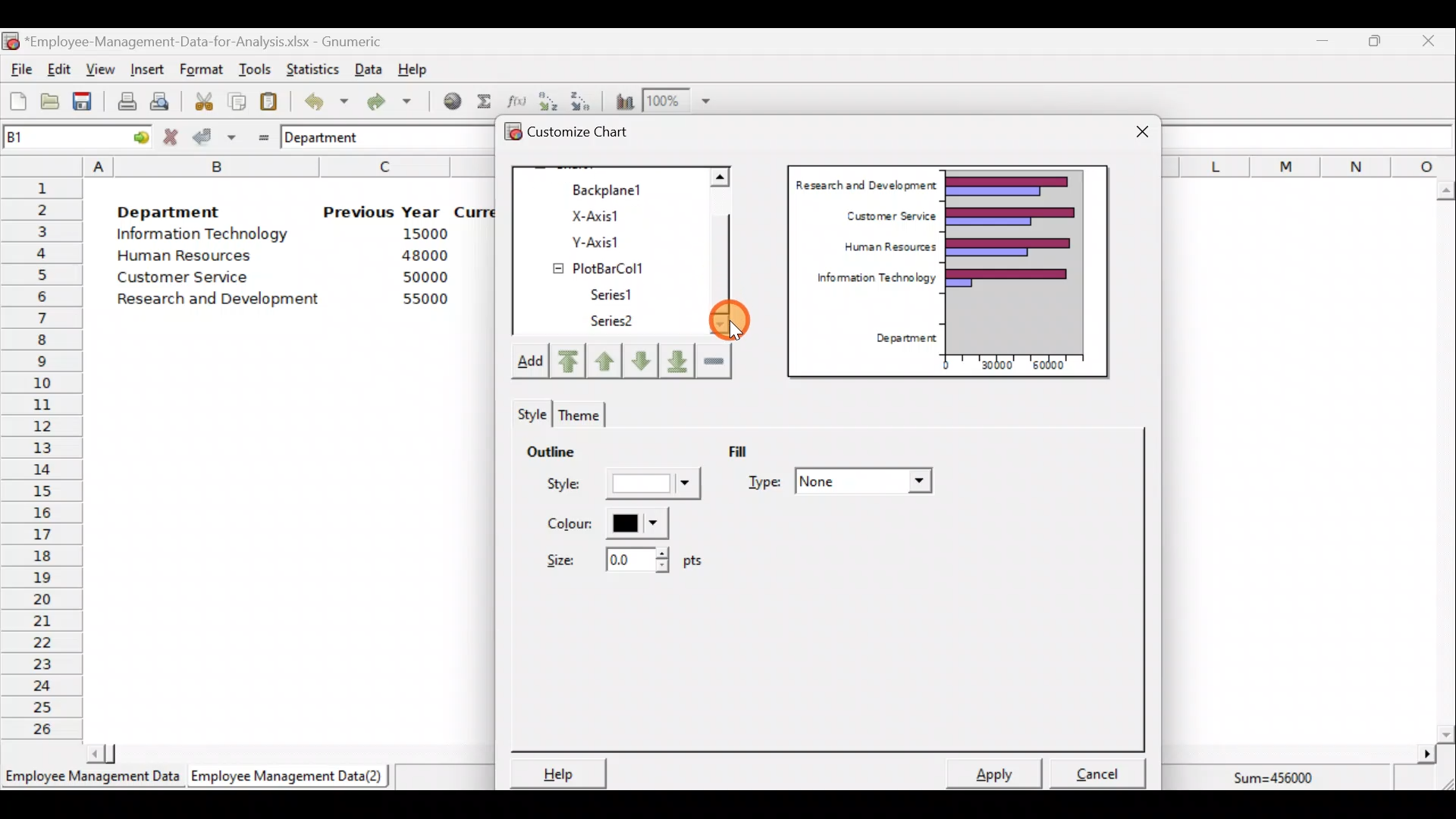  What do you see at coordinates (678, 359) in the screenshot?
I see `Move downward` at bounding box center [678, 359].